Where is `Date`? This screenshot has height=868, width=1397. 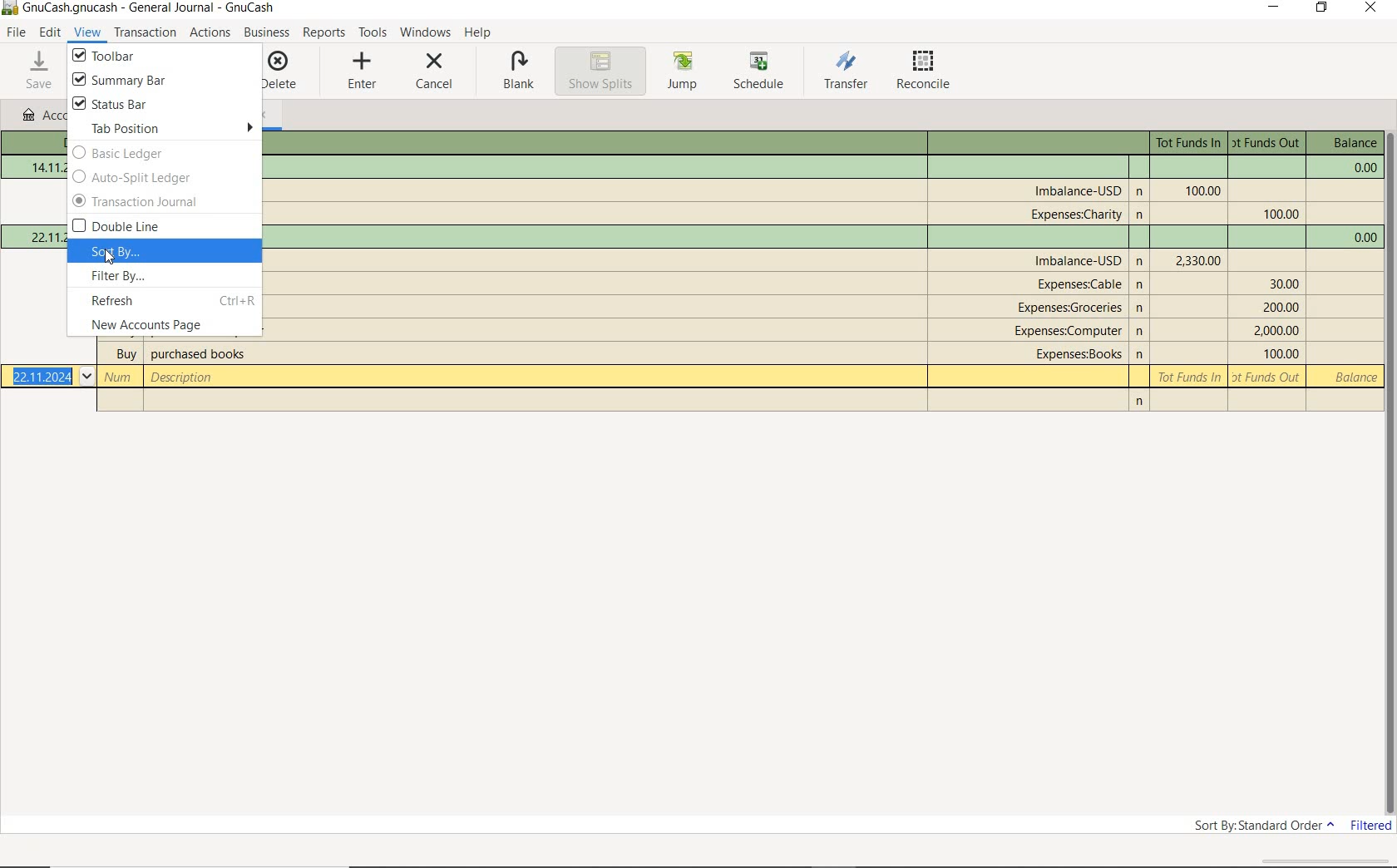
Date is located at coordinates (42, 377).